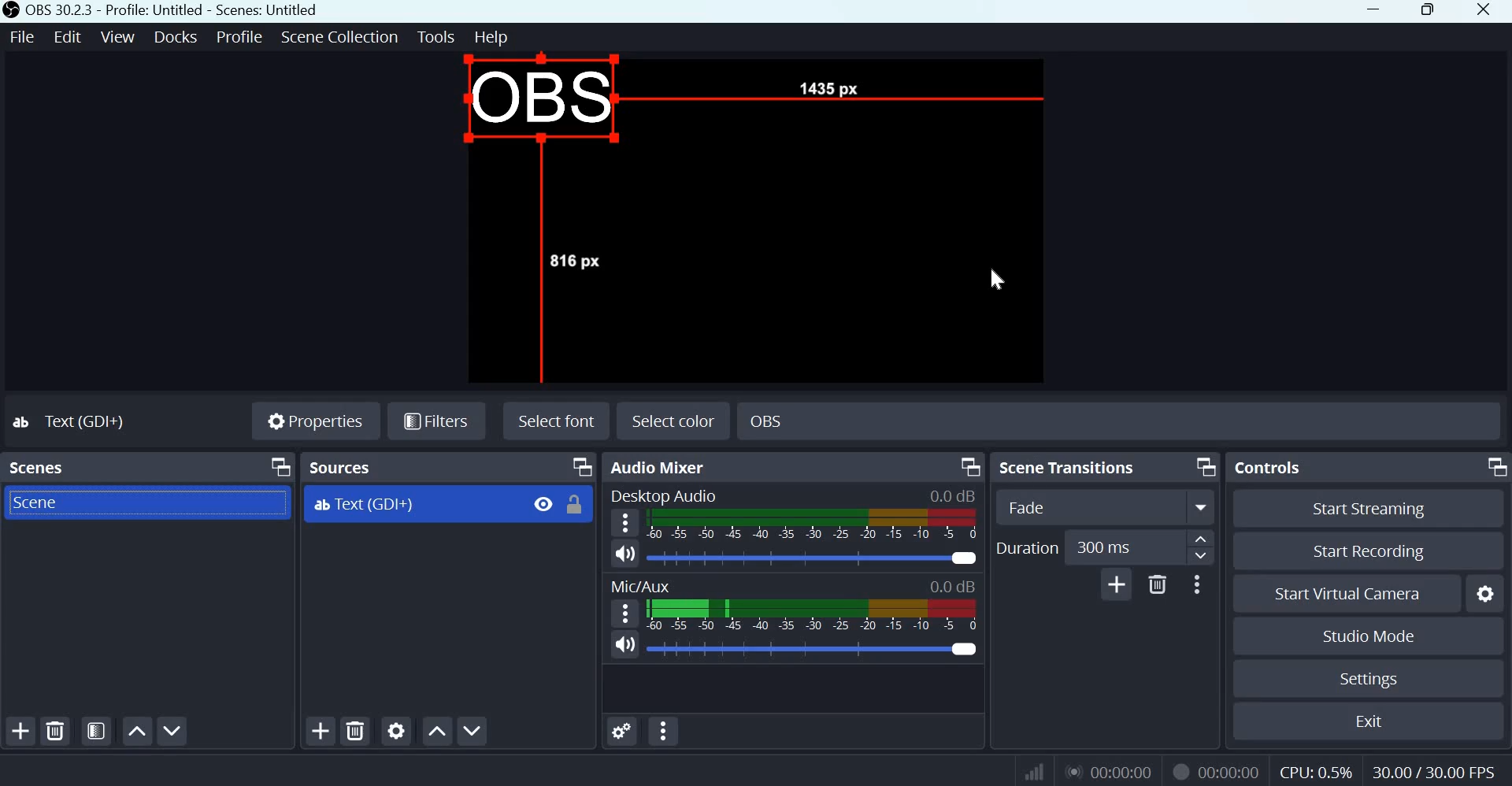  I want to click on Move source(s) down, so click(474, 730).